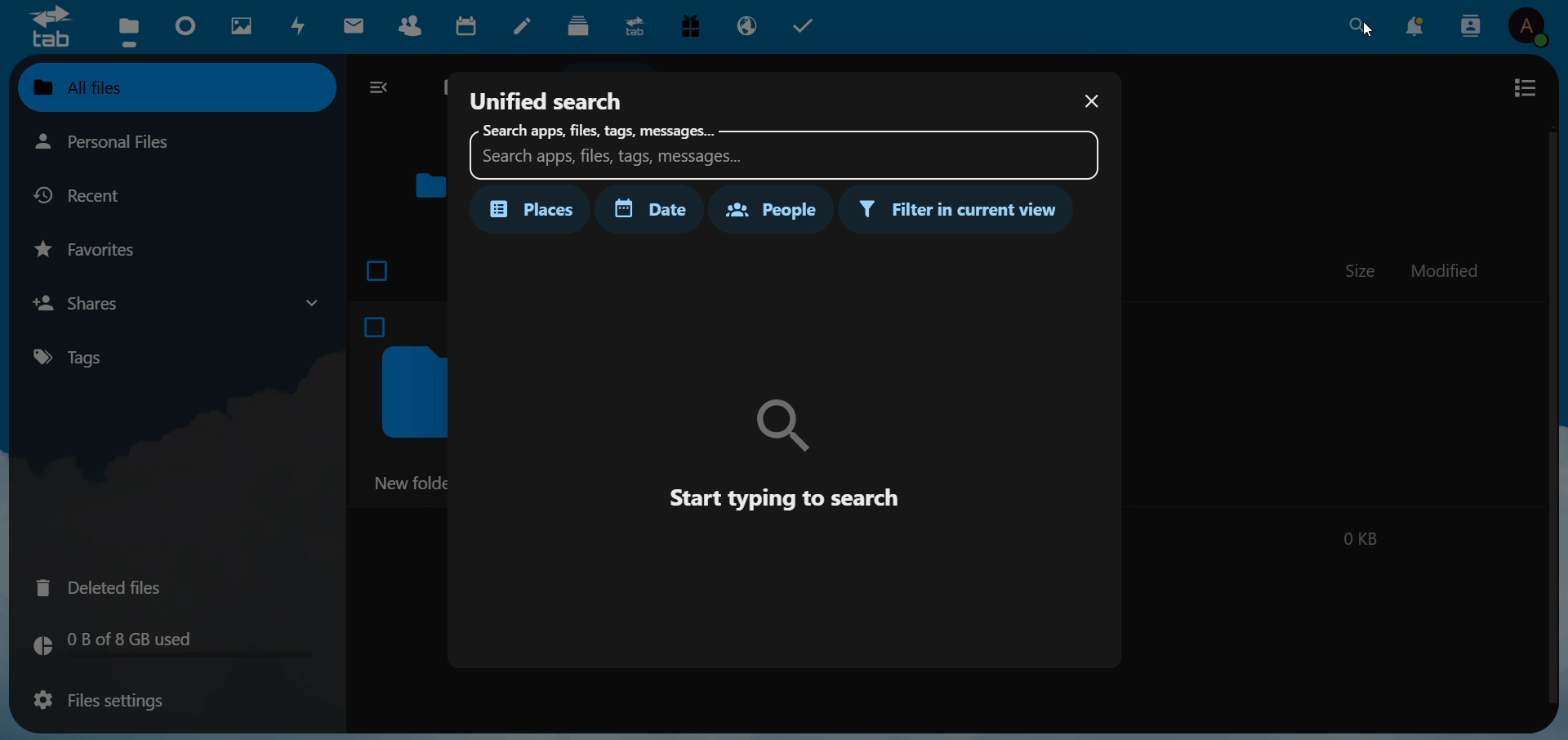  I want to click on tags, so click(82, 357).